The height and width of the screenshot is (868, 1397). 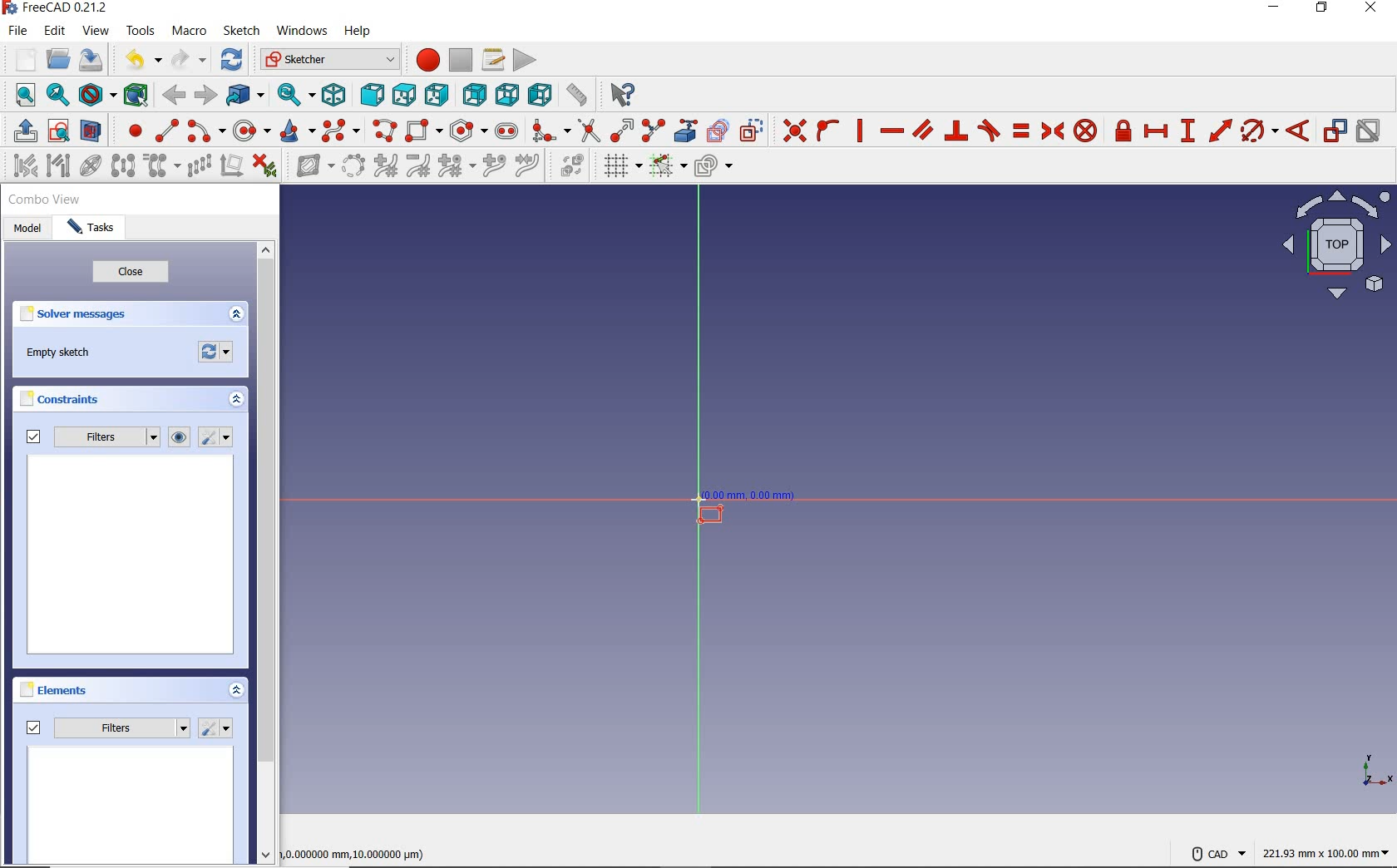 What do you see at coordinates (751, 129) in the screenshot?
I see `toggle construction geometry` at bounding box center [751, 129].